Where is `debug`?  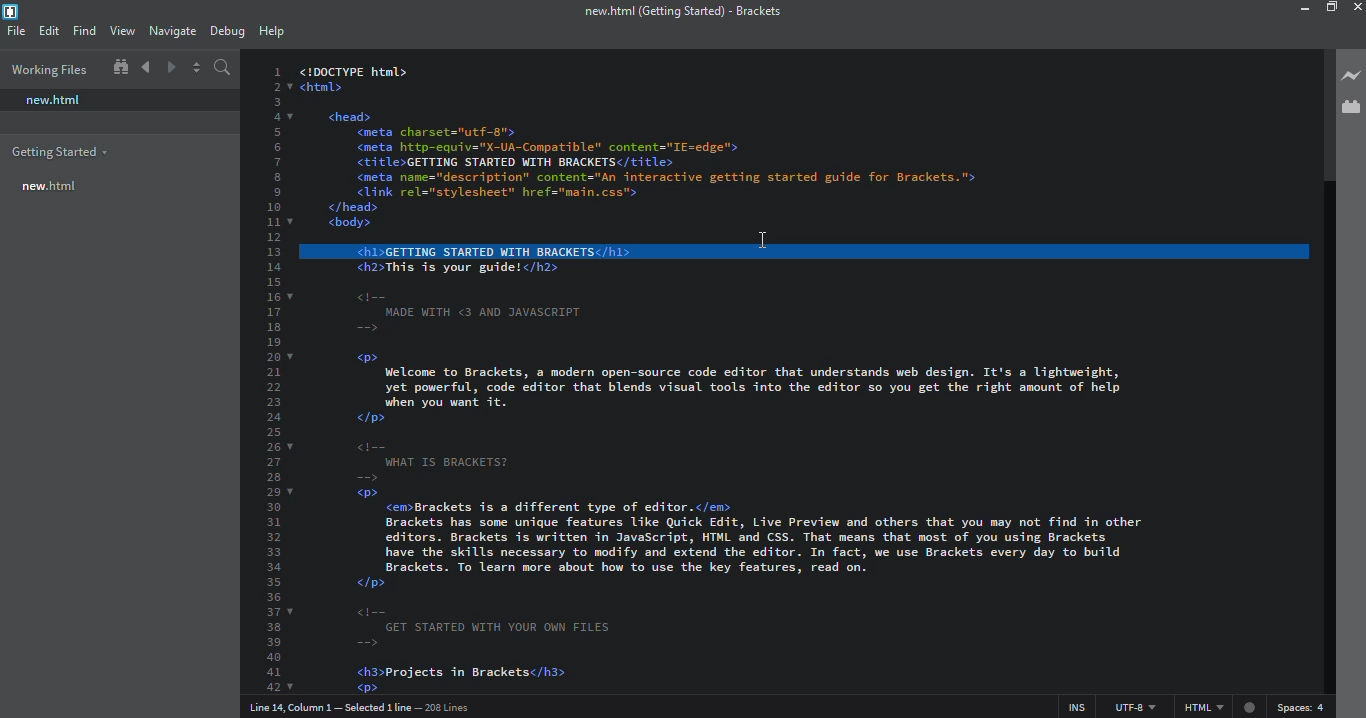 debug is located at coordinates (223, 29).